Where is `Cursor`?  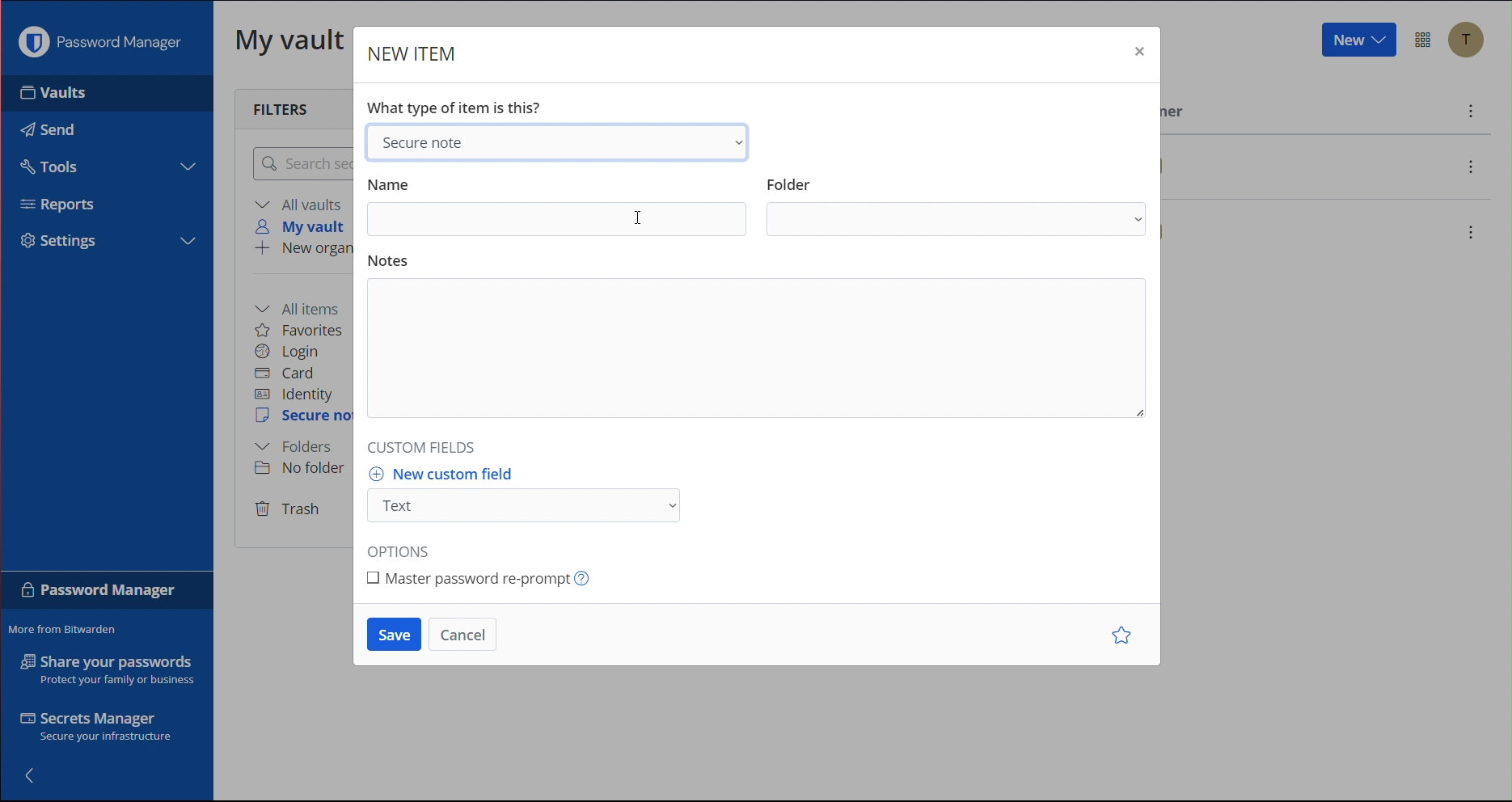 Cursor is located at coordinates (638, 221).